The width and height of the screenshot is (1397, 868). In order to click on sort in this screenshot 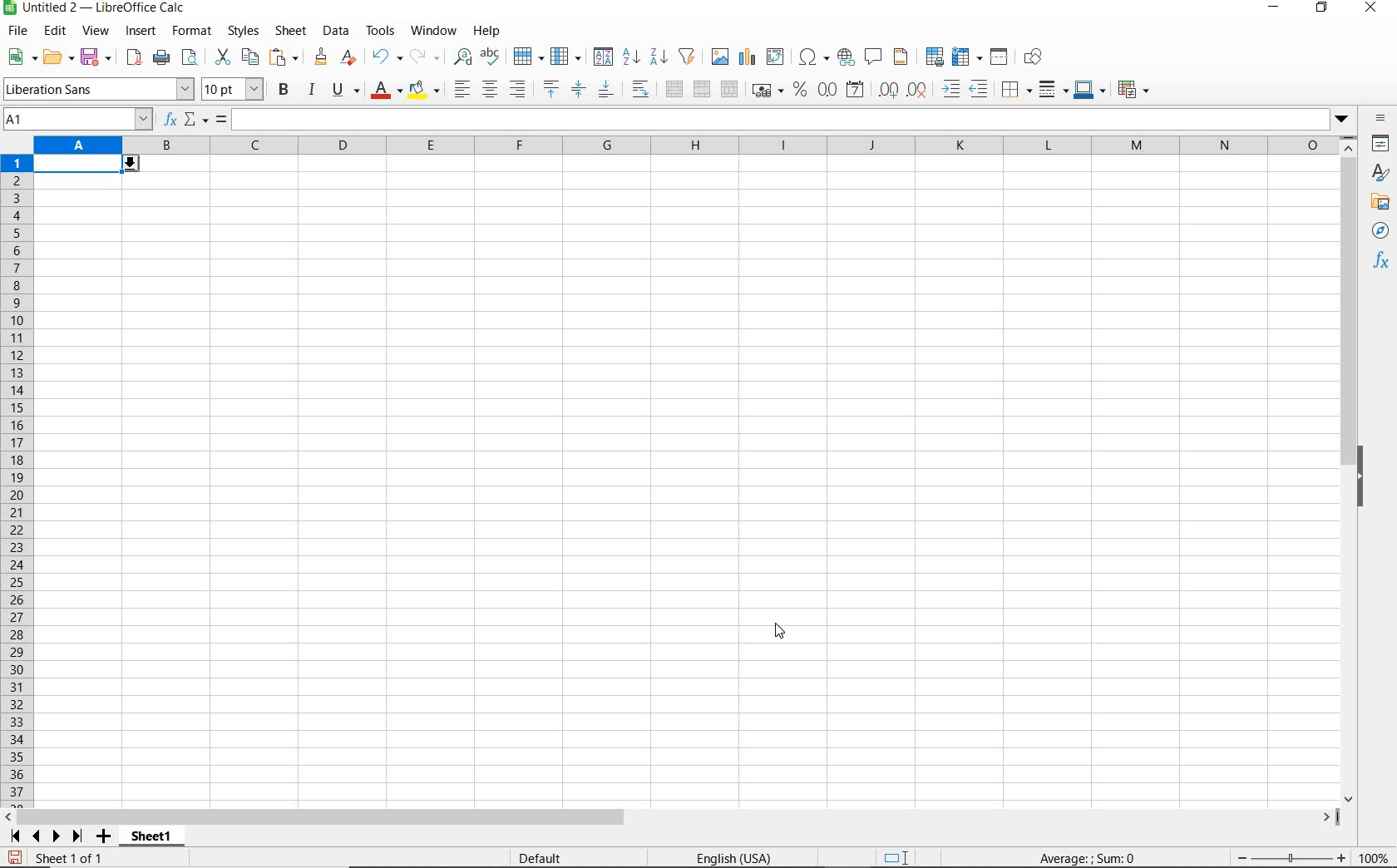, I will do `click(603, 58)`.